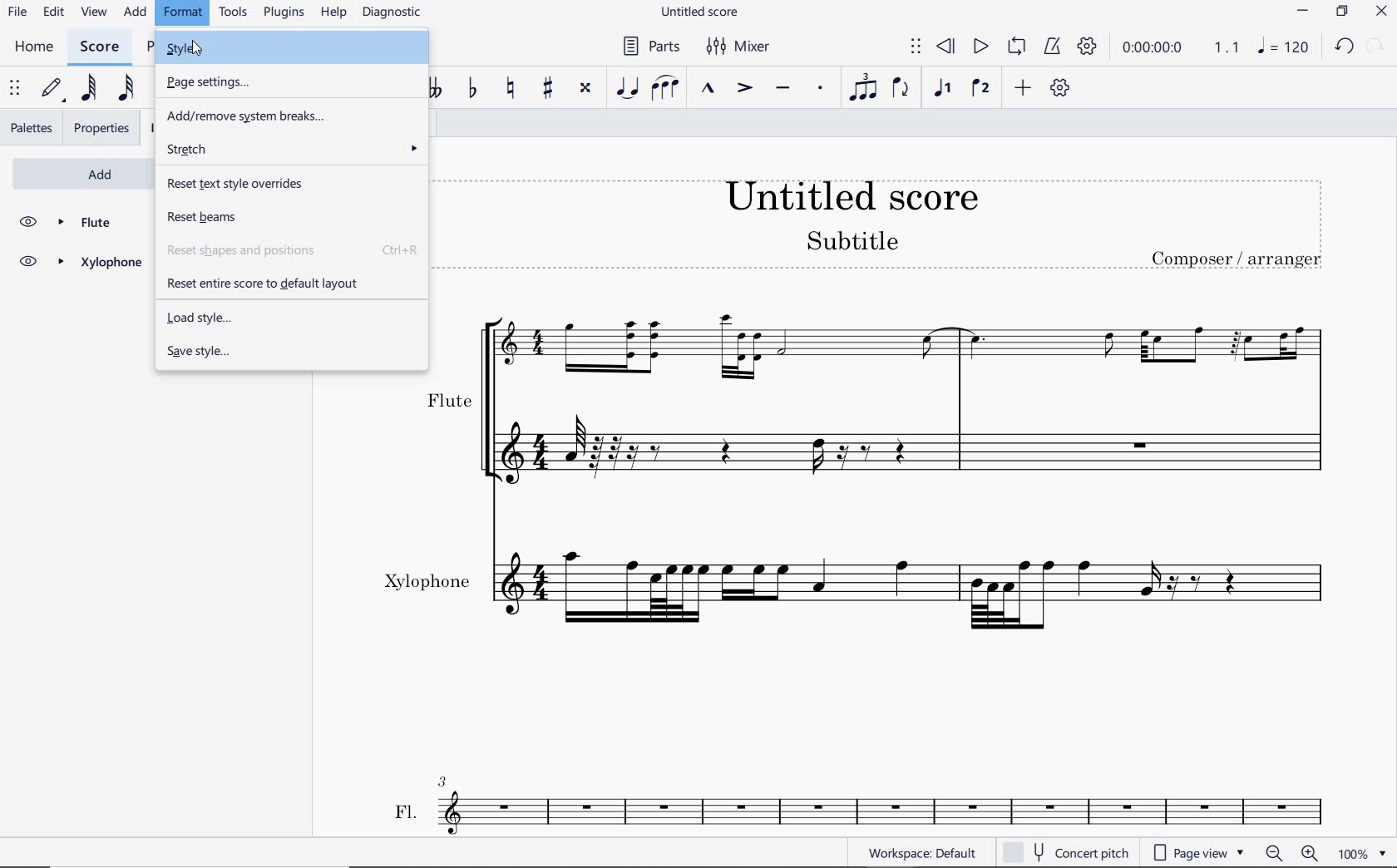 The image size is (1397, 868). Describe the element at coordinates (743, 86) in the screenshot. I see `ACCENT` at that location.